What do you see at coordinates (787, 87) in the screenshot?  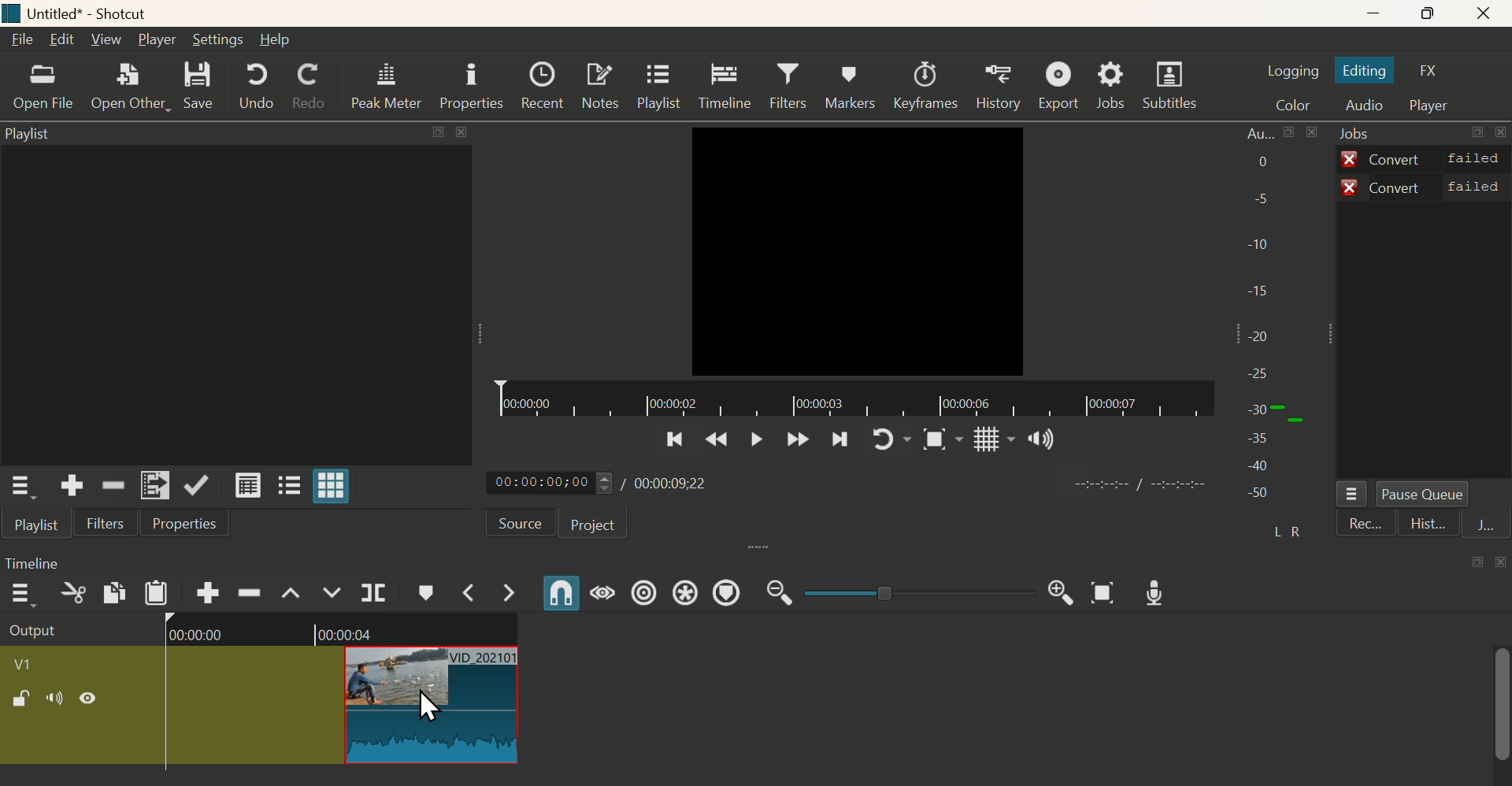 I see `Filters` at bounding box center [787, 87].